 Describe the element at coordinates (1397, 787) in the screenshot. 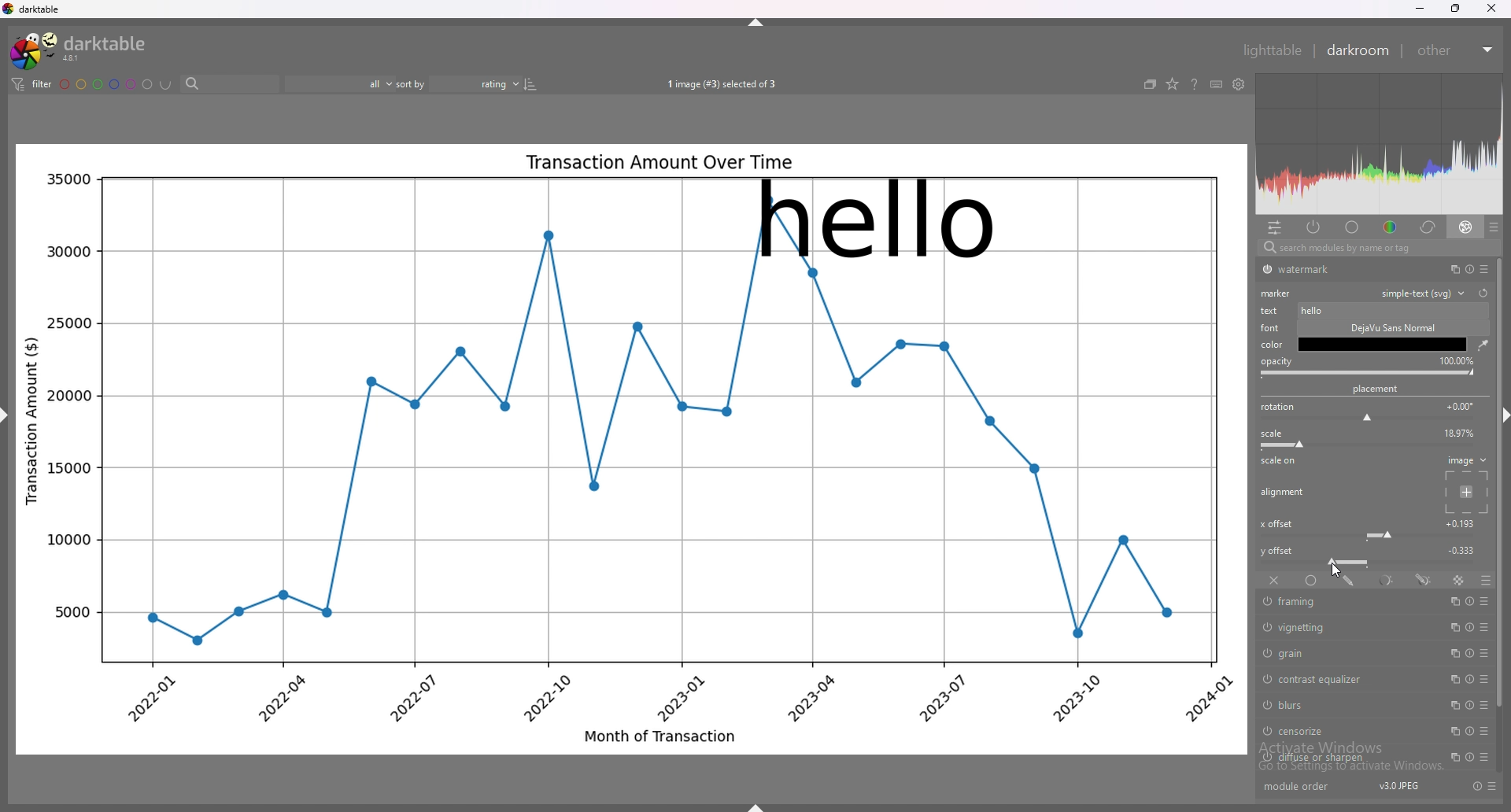

I see `version` at that location.